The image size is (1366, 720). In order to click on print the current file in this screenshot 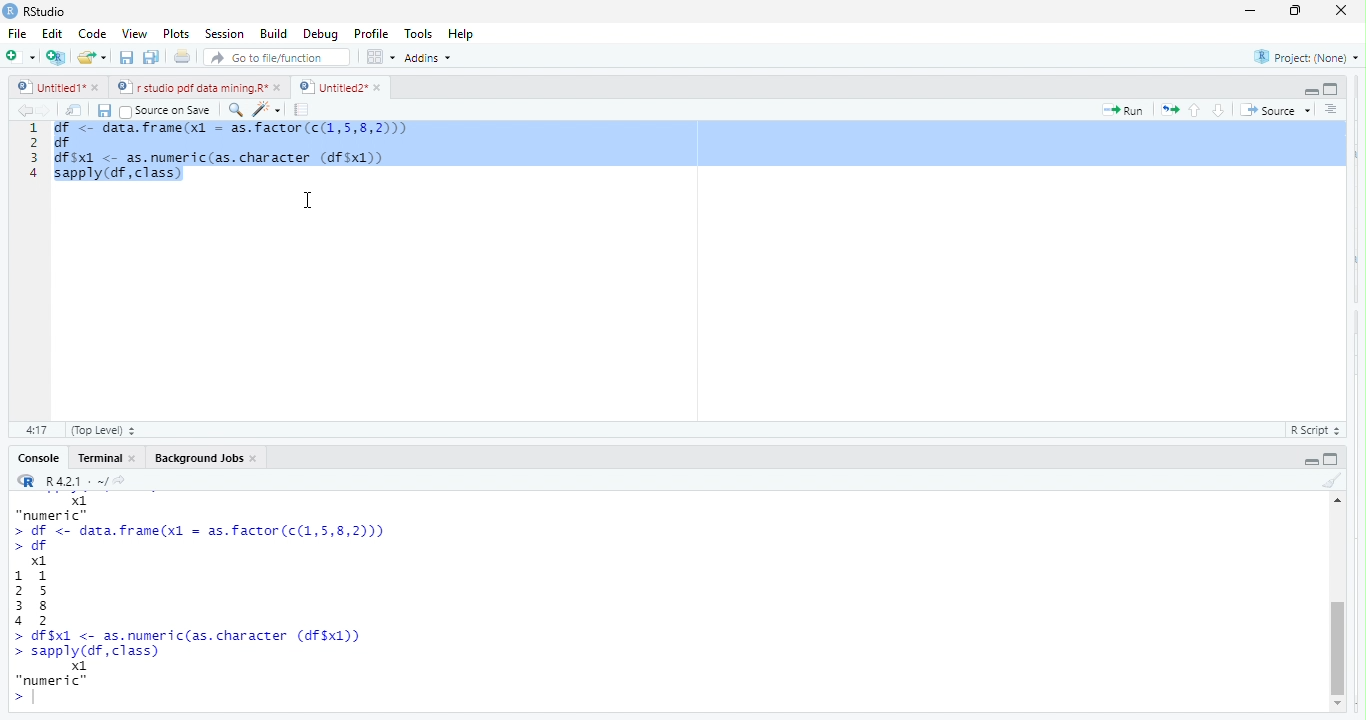, I will do `click(180, 57)`.